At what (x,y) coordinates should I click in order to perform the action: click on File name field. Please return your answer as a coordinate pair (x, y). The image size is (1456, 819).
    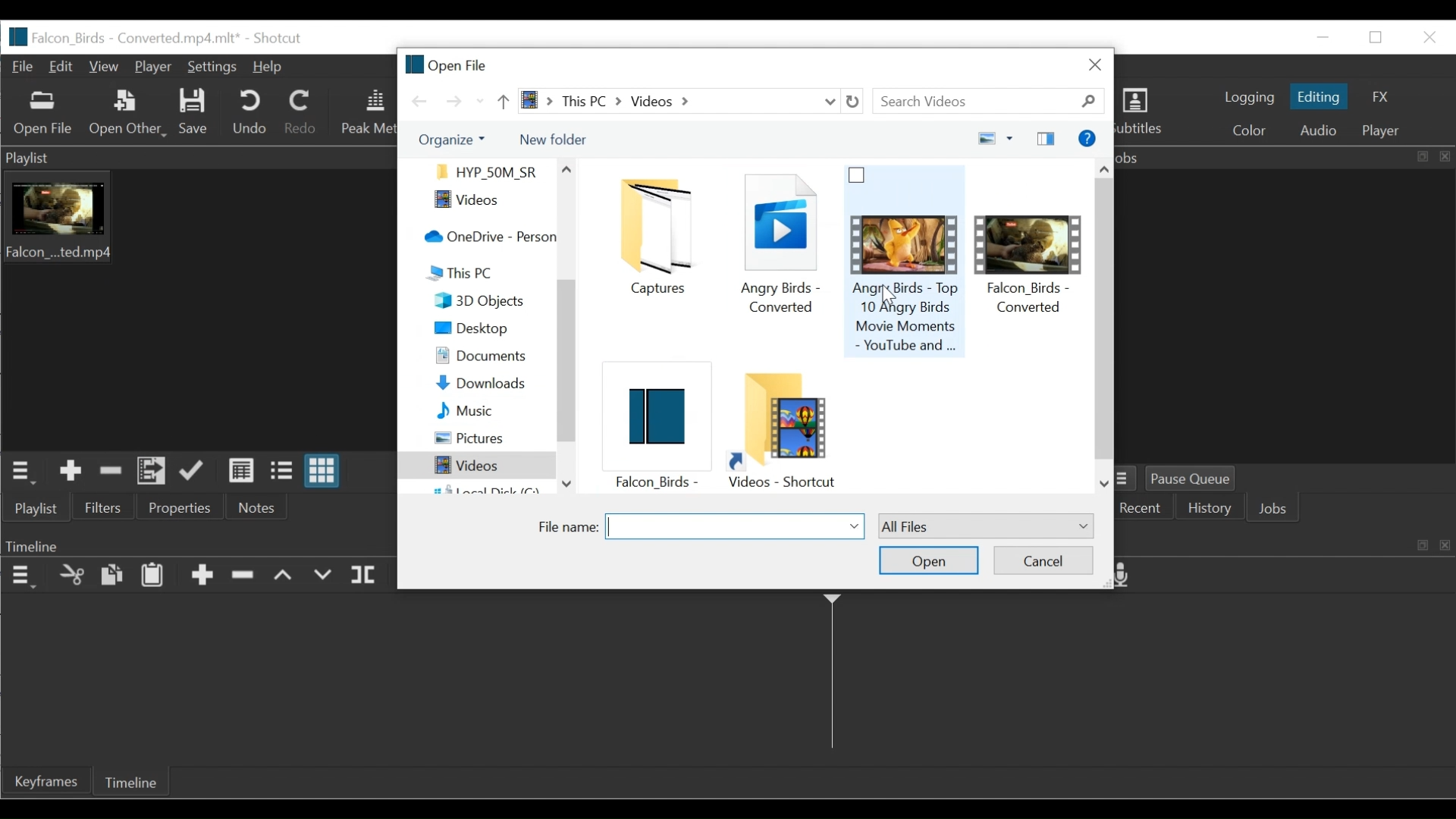
    Looking at the image, I should click on (735, 526).